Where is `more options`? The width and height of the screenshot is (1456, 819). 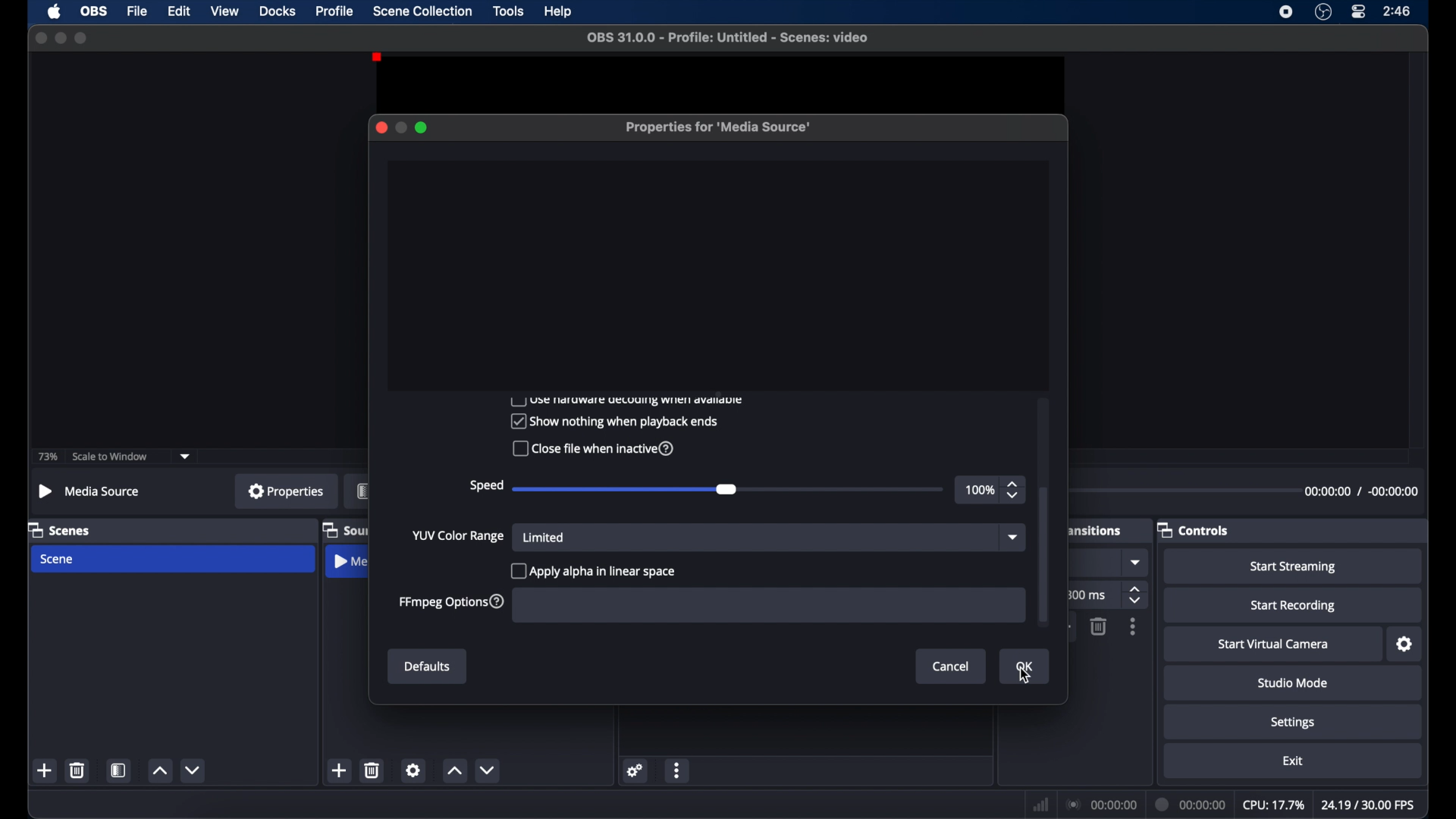 more options is located at coordinates (1134, 627).